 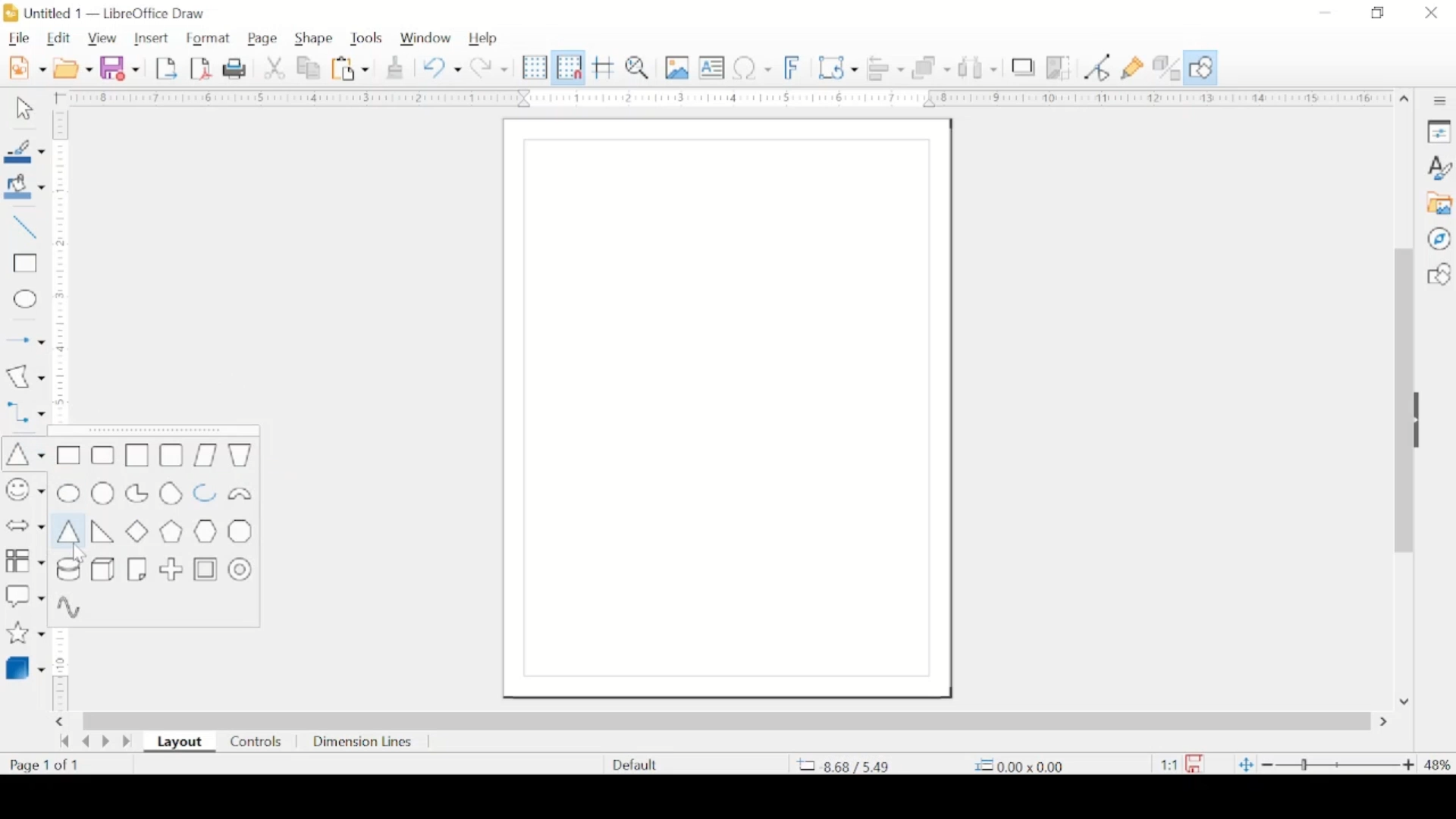 I want to click on circle , so click(x=103, y=493).